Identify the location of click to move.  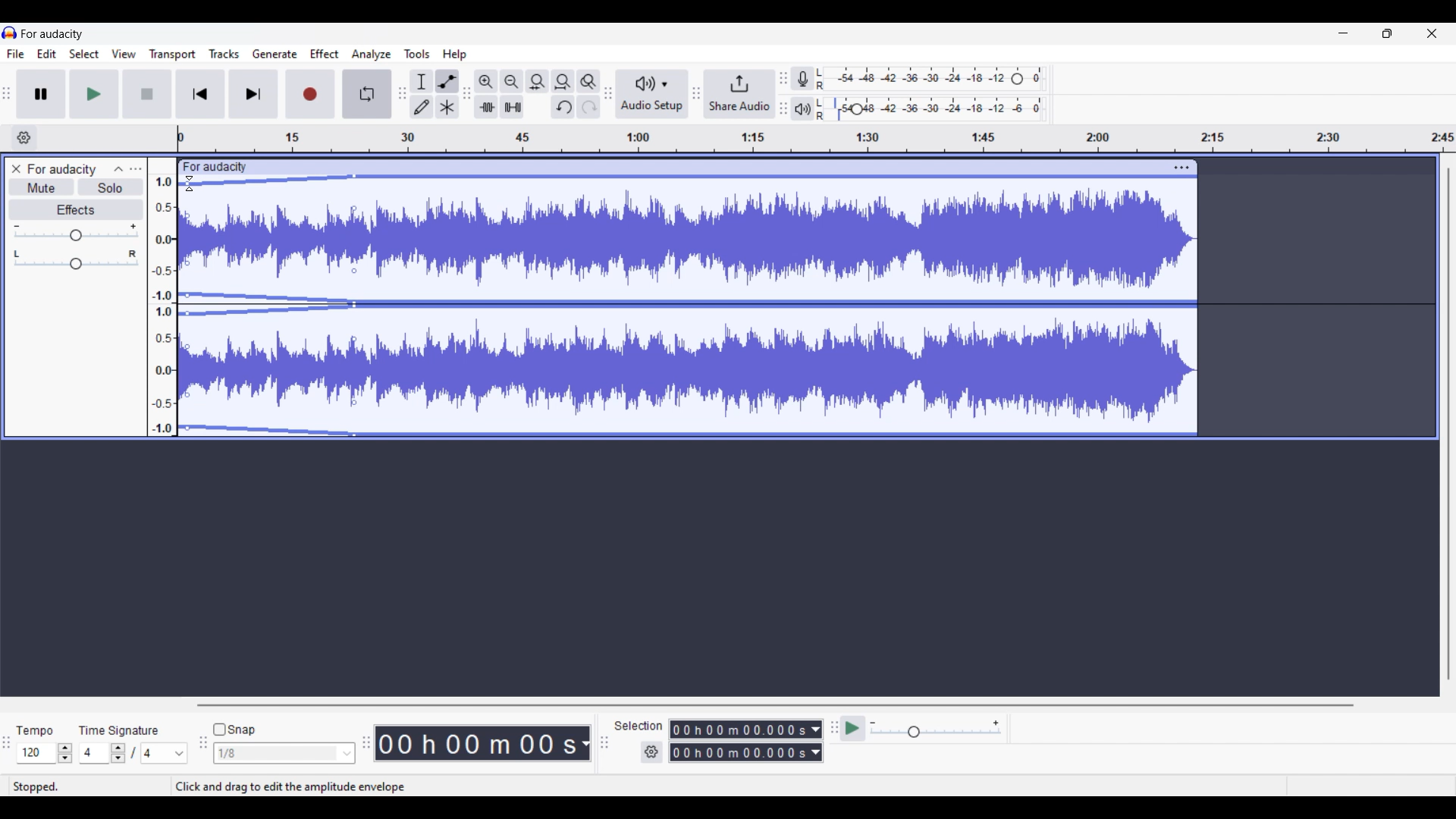
(710, 167).